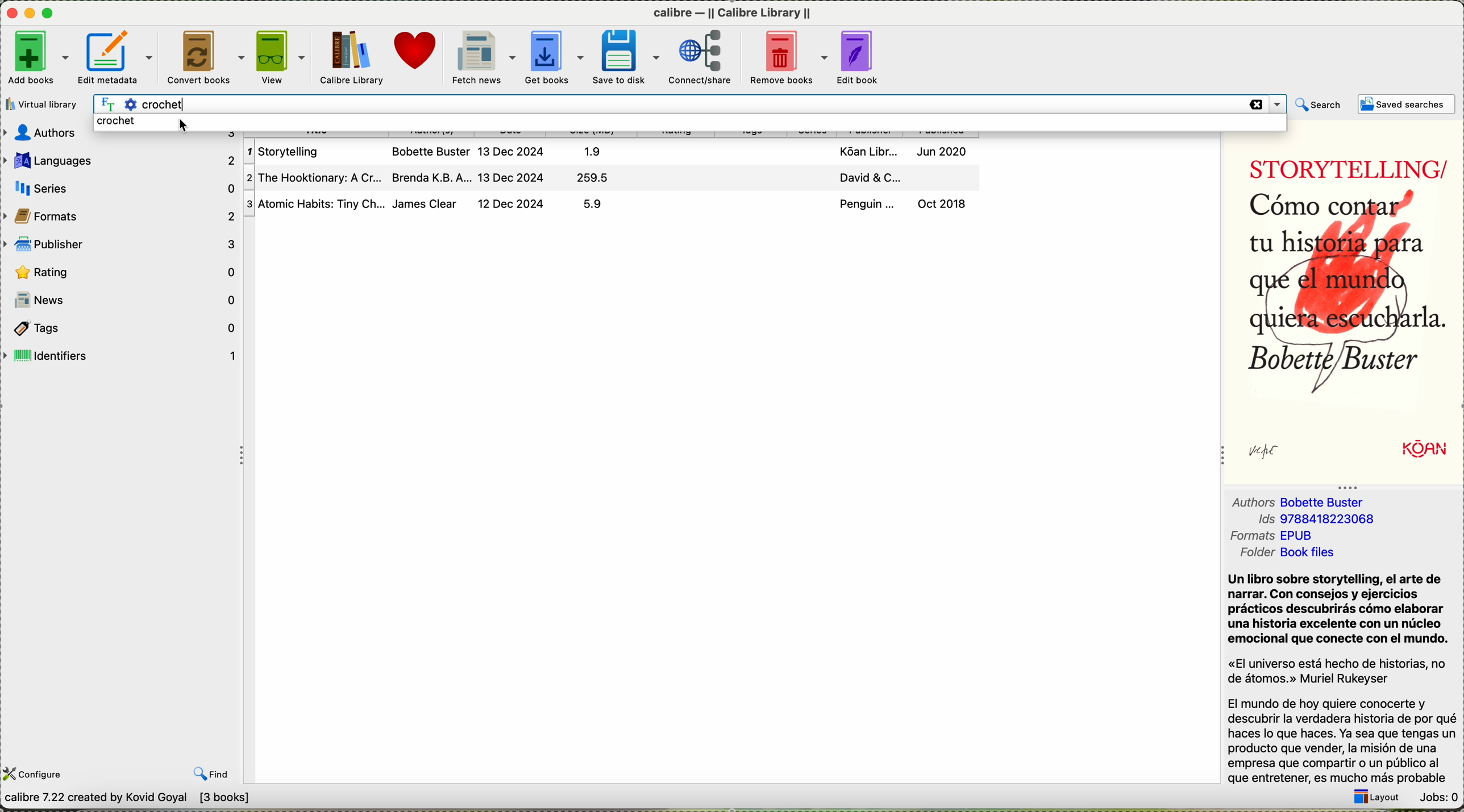 The height and width of the screenshot is (812, 1464). What do you see at coordinates (733, 13) in the screenshot?
I see `calibre library` at bounding box center [733, 13].